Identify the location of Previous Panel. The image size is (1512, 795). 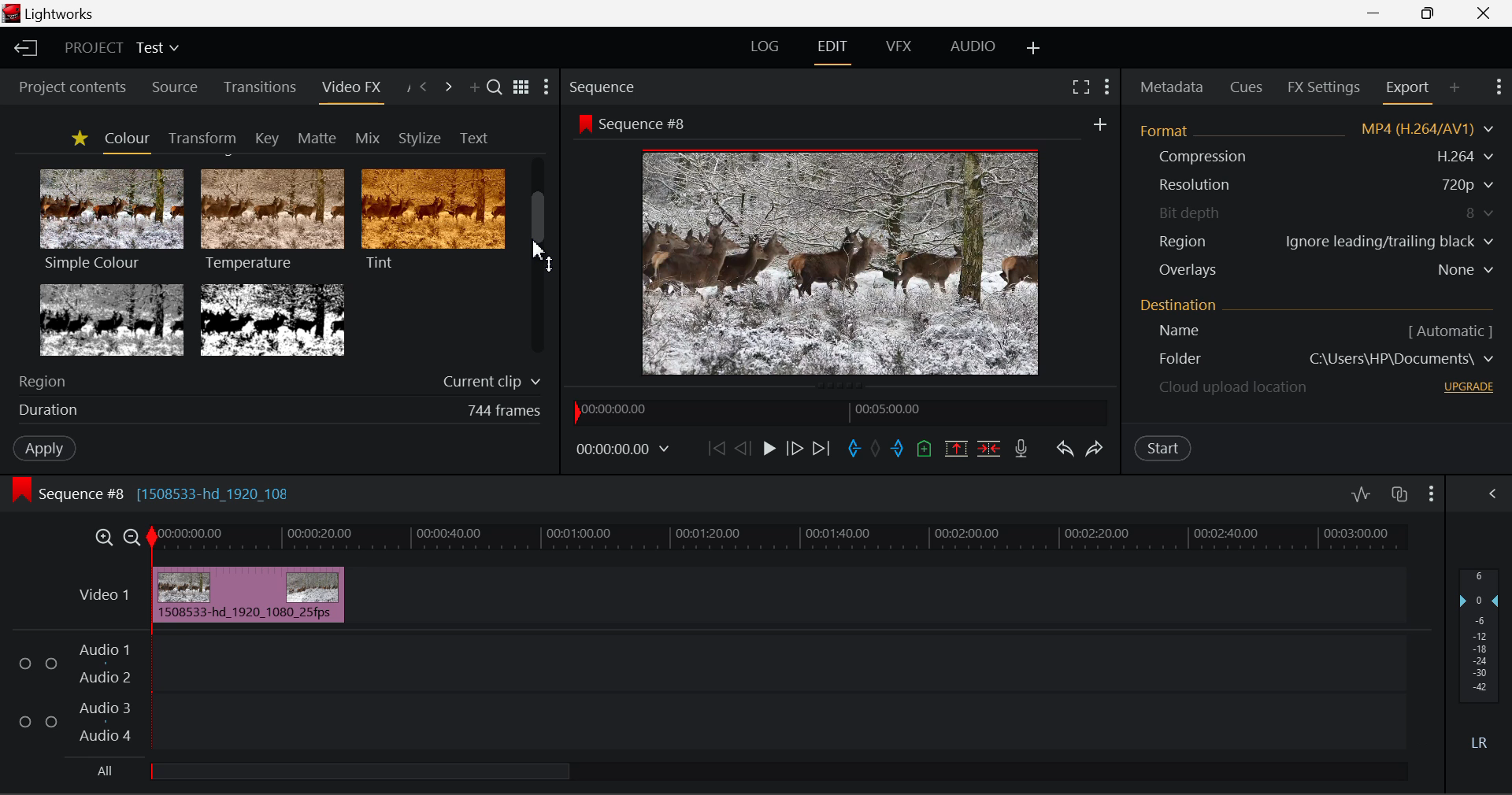
(425, 89).